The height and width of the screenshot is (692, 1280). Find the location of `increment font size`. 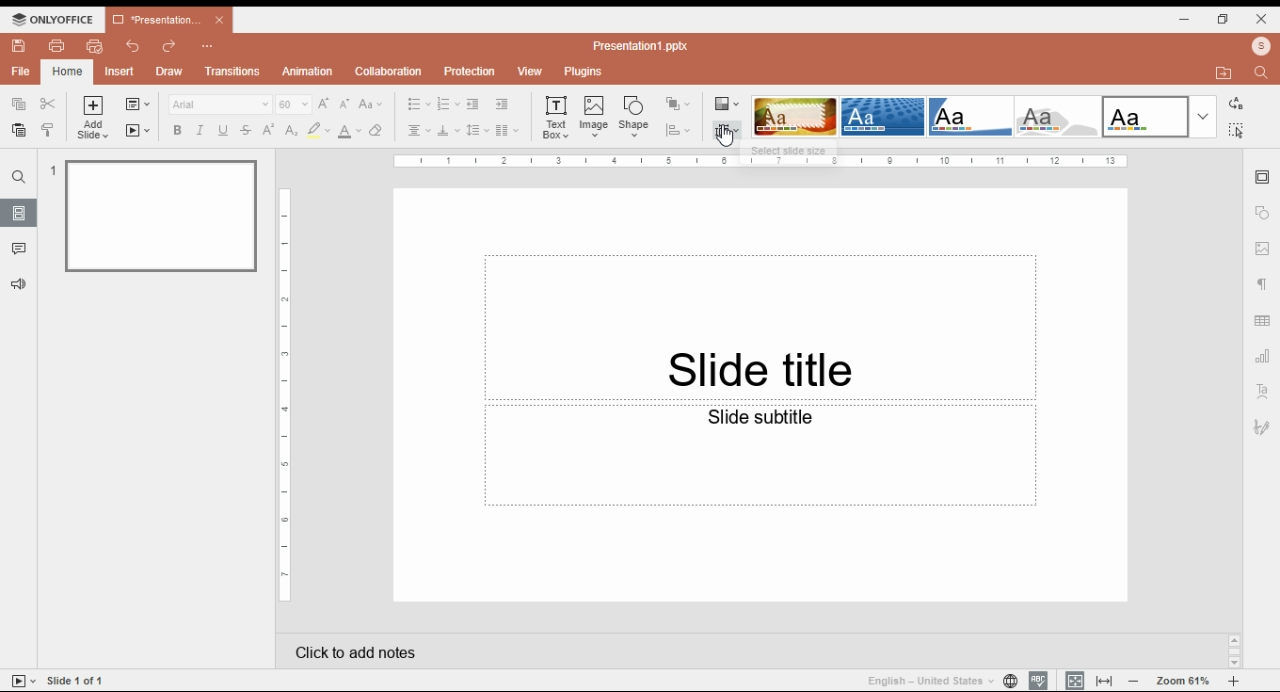

increment font size is located at coordinates (323, 103).